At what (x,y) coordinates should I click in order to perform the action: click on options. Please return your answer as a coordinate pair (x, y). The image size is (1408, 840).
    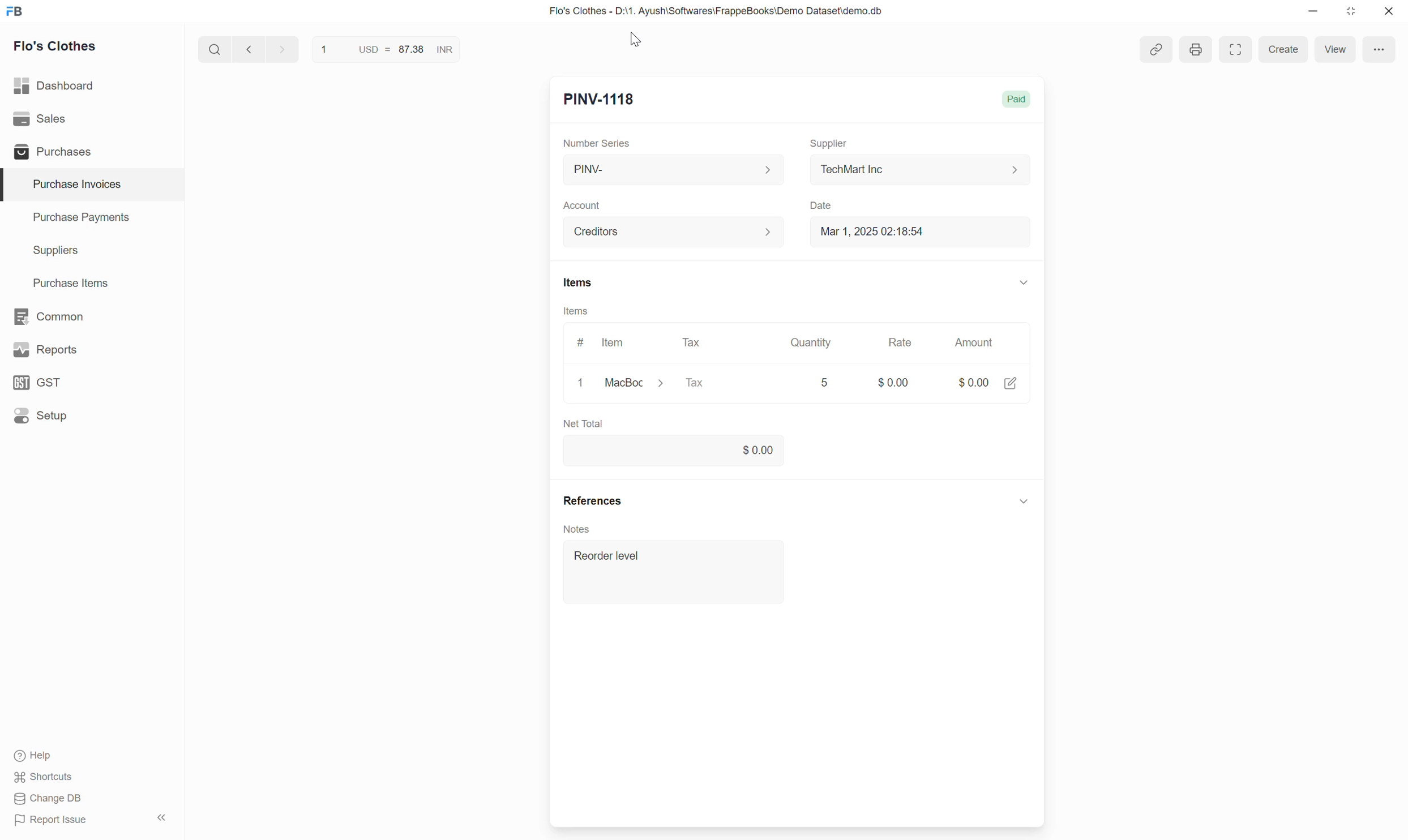
    Looking at the image, I should click on (1381, 49).